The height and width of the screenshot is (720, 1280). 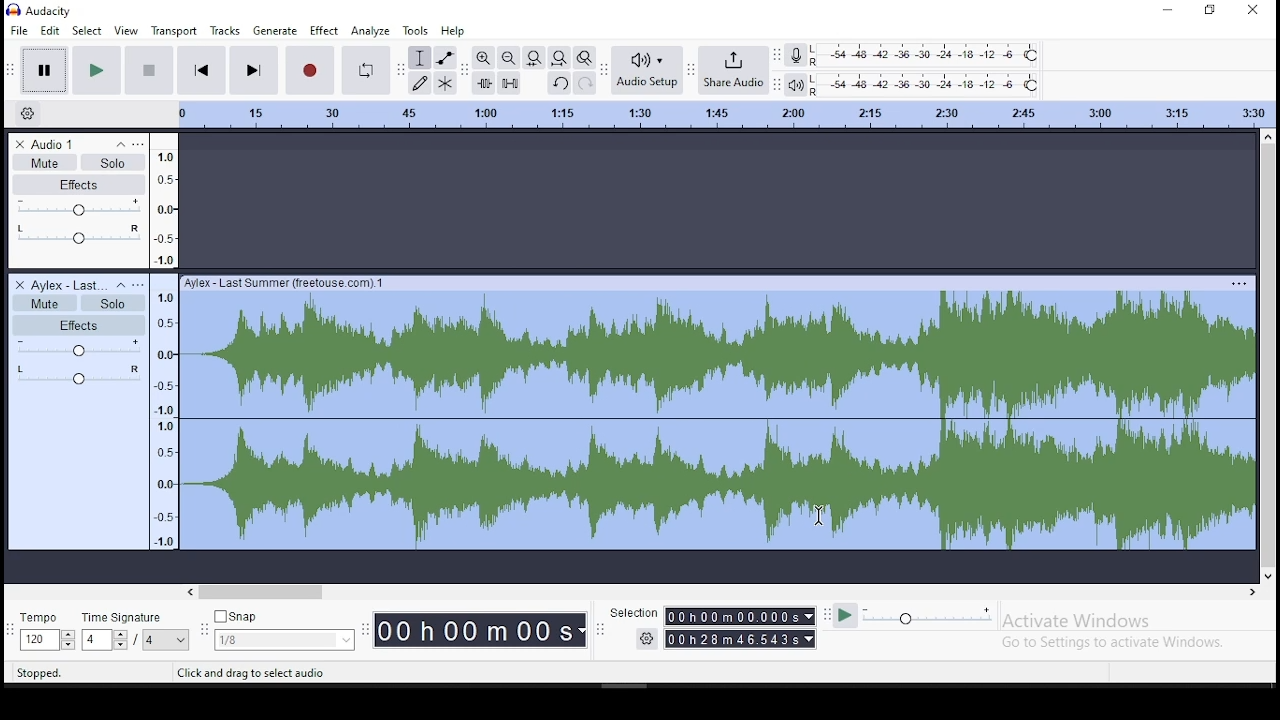 I want to click on snap, so click(x=285, y=631).